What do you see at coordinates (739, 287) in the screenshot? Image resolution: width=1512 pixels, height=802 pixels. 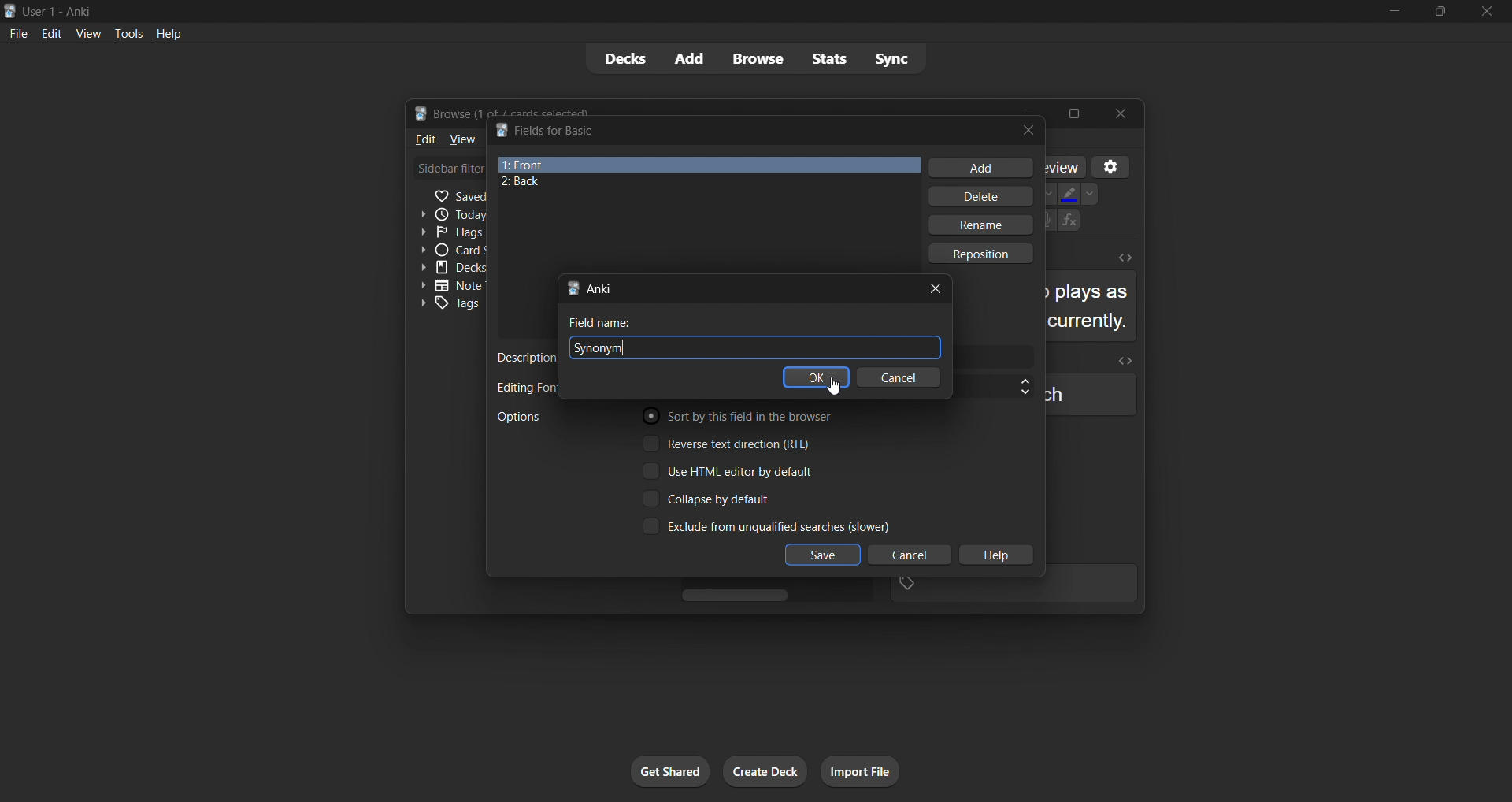 I see `tab title` at bounding box center [739, 287].